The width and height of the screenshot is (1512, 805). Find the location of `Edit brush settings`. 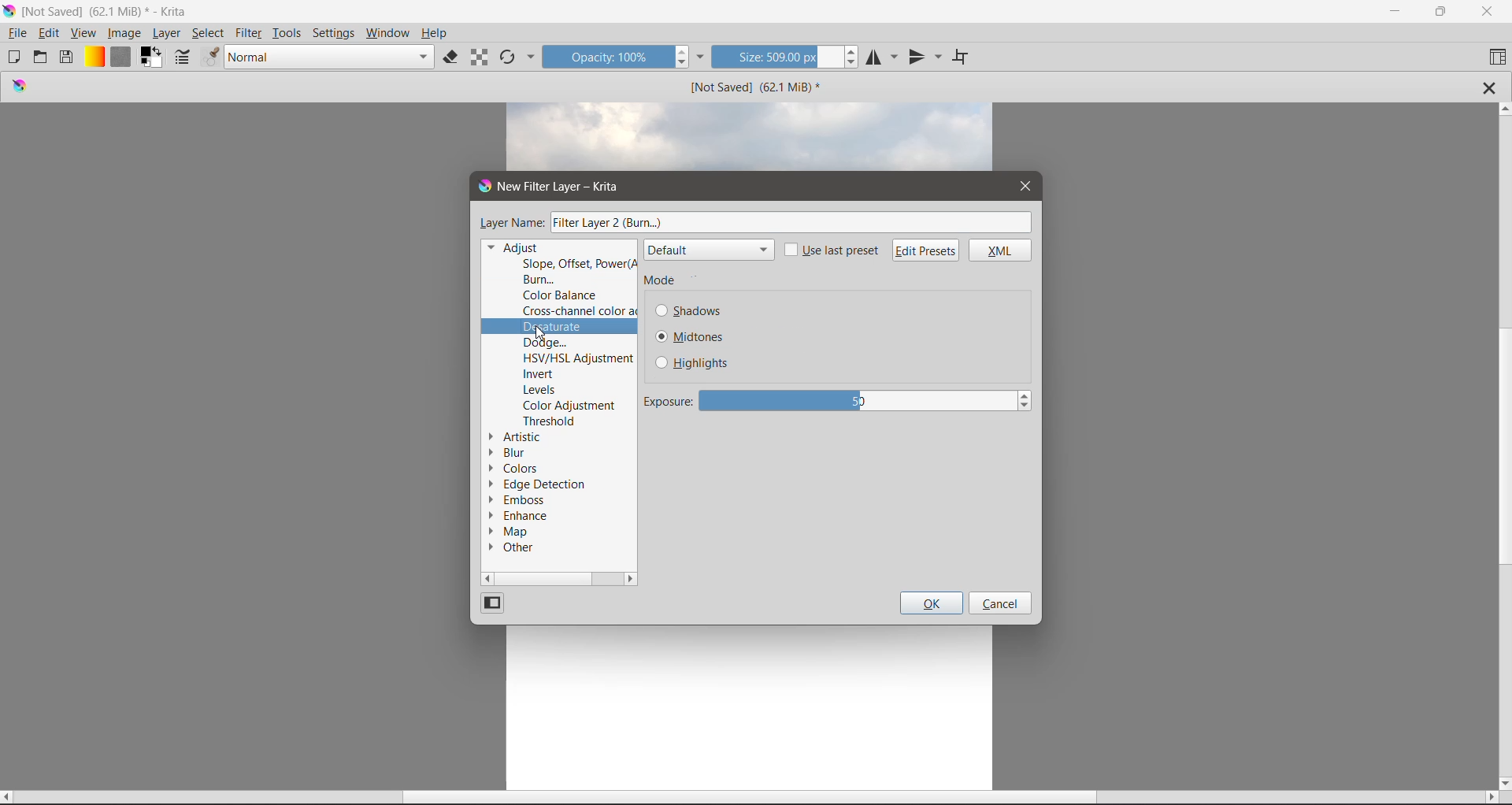

Edit brush settings is located at coordinates (183, 58).